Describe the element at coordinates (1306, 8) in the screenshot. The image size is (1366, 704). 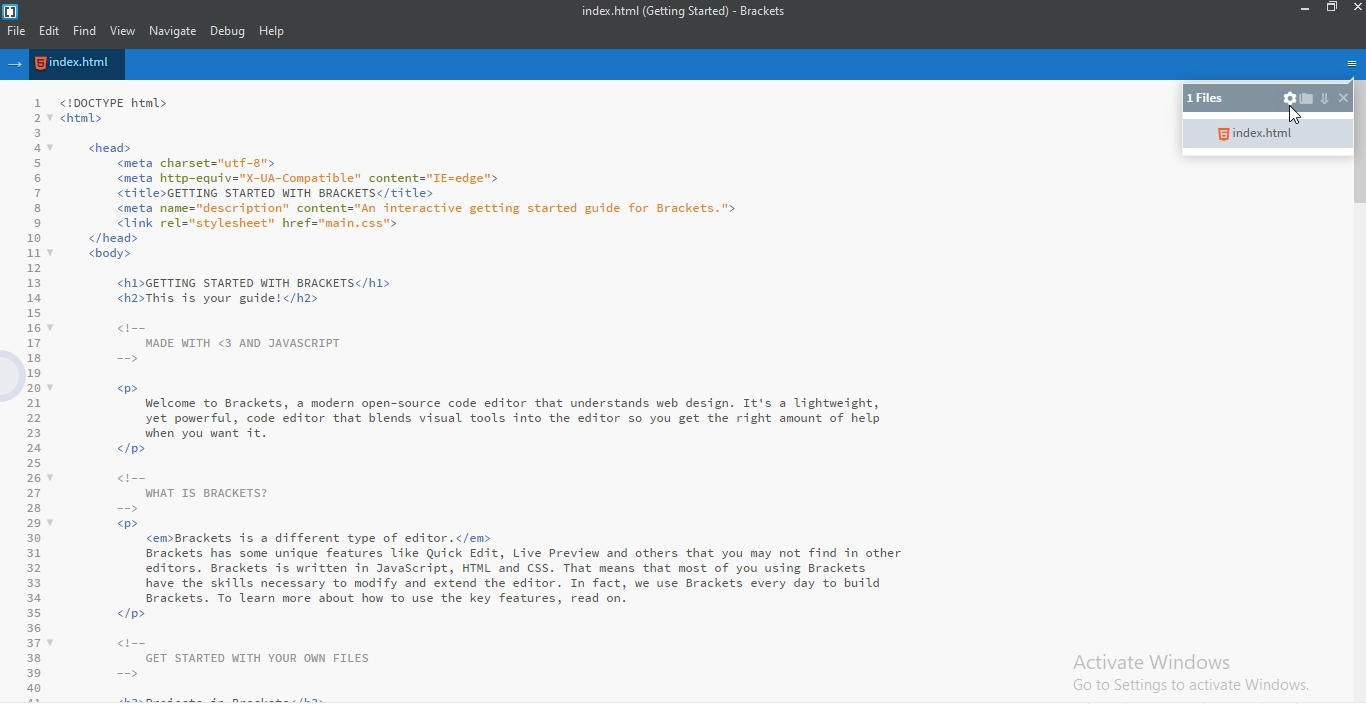
I see `minimize` at that location.